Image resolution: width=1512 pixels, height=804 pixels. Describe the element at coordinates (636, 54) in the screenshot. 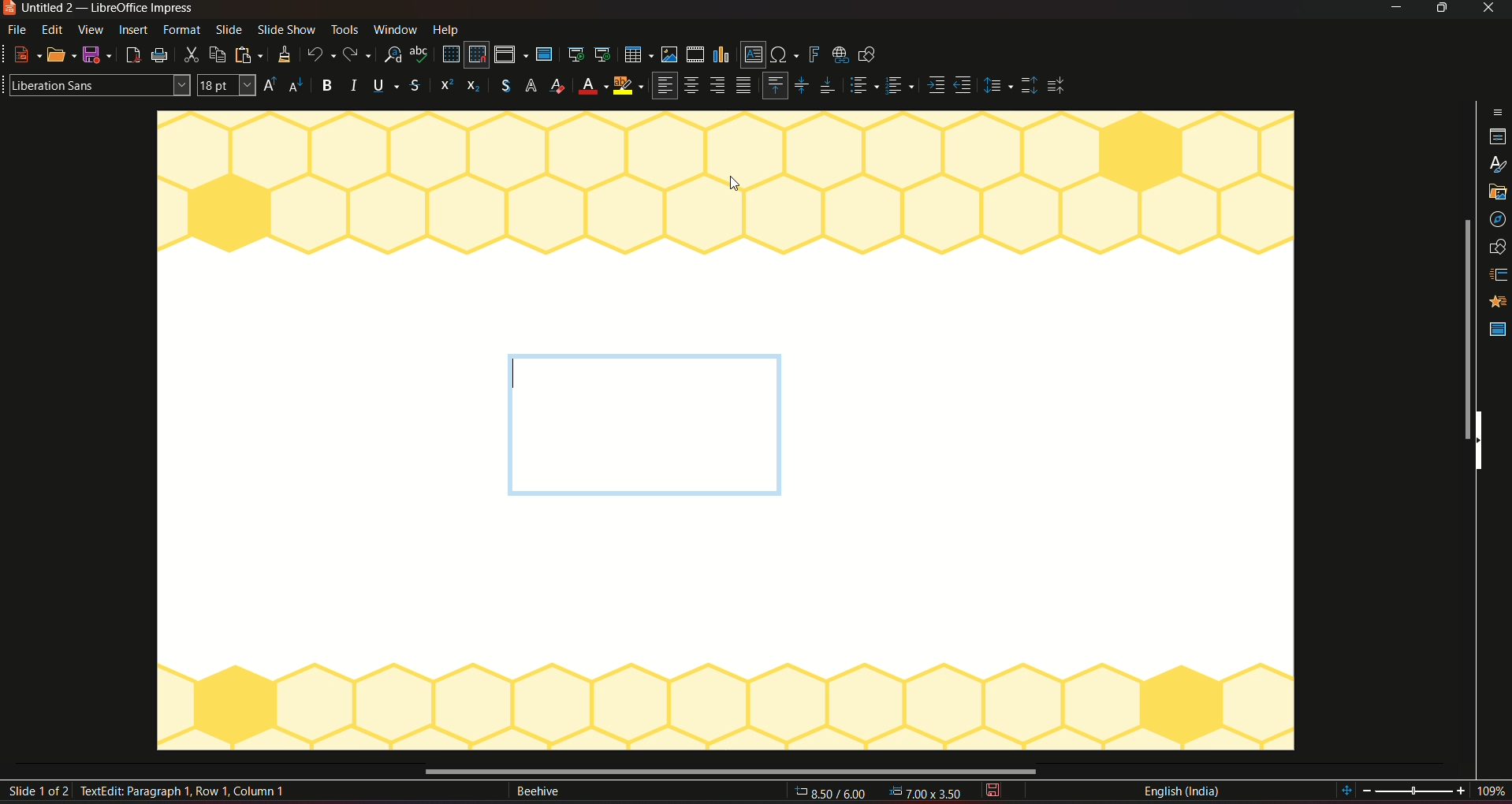

I see `insert table` at that location.